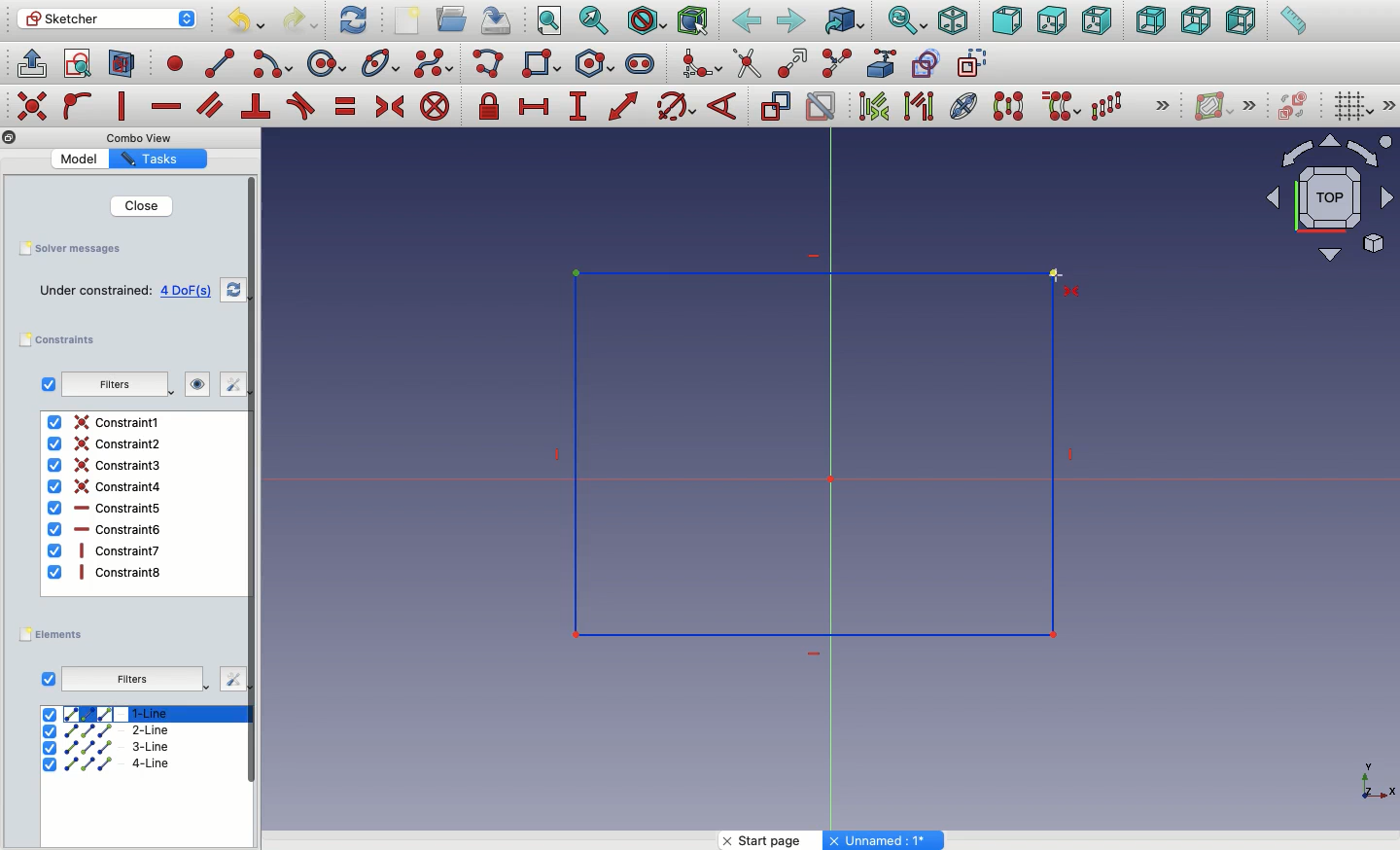 This screenshot has width=1400, height=850. Describe the element at coordinates (225, 384) in the screenshot. I see `edit` at that location.